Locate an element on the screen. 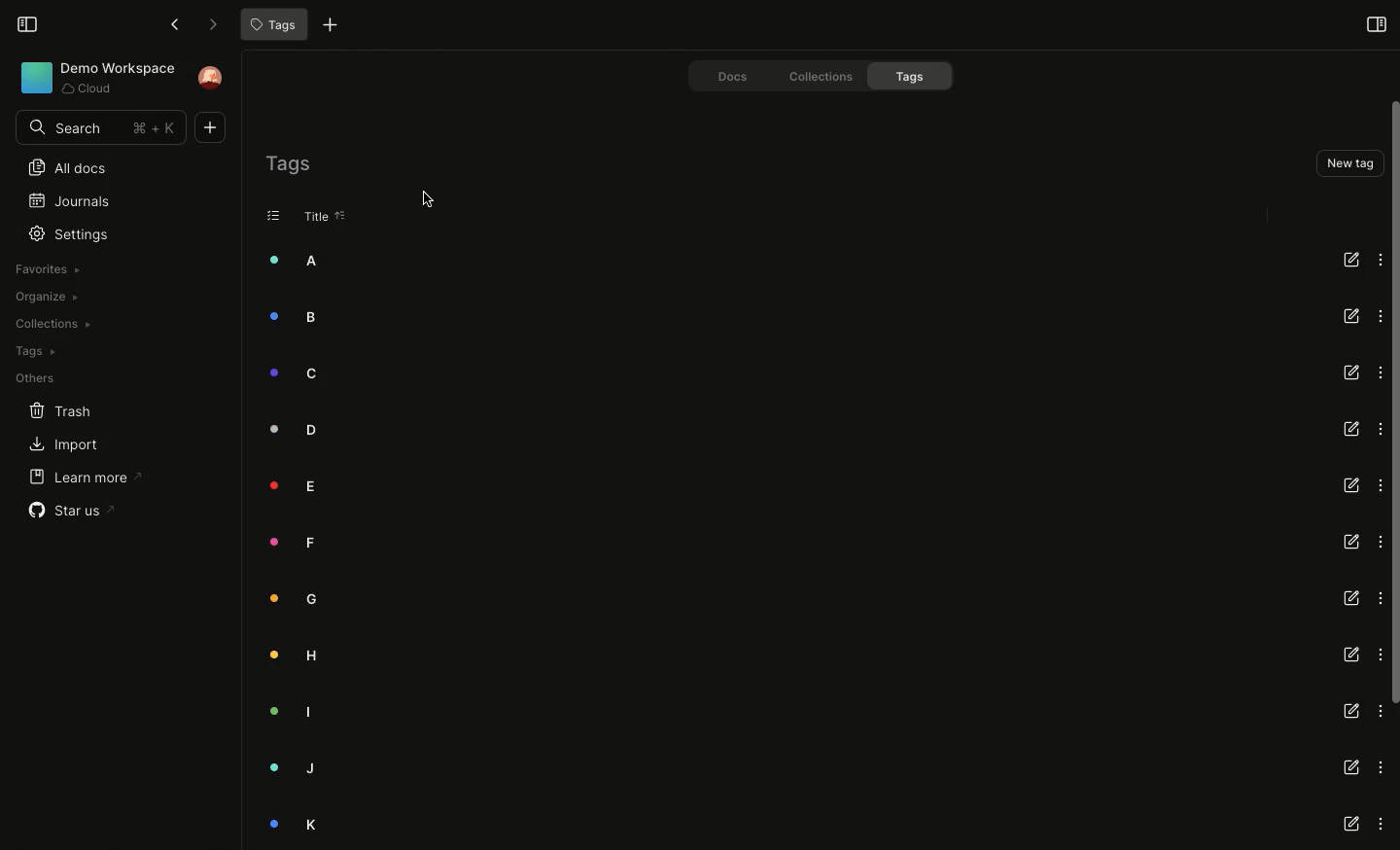 Image resolution: width=1400 pixels, height=850 pixels. Settings is located at coordinates (73, 233).